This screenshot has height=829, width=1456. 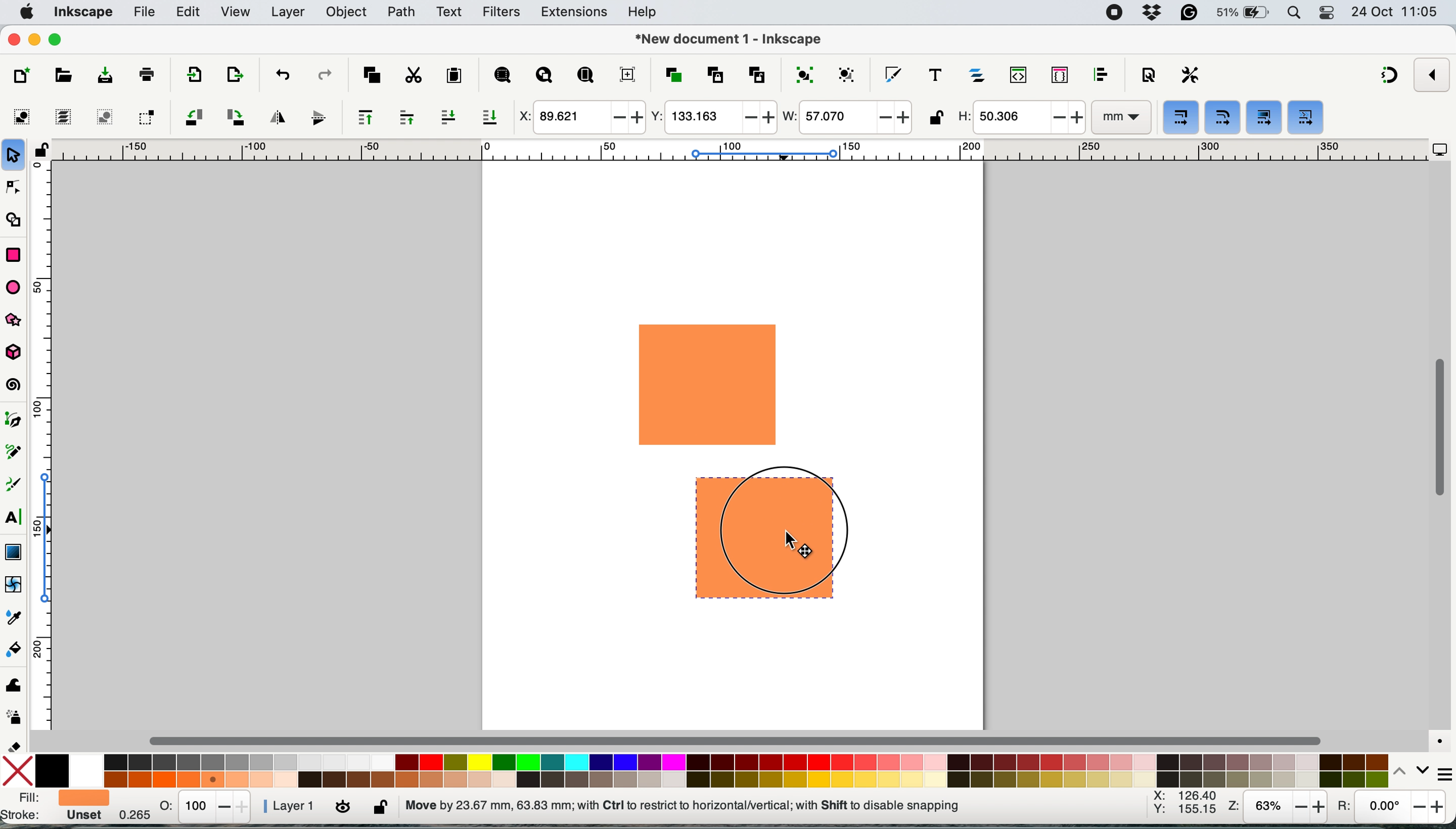 What do you see at coordinates (757, 73) in the screenshot?
I see `unlink clone` at bounding box center [757, 73].